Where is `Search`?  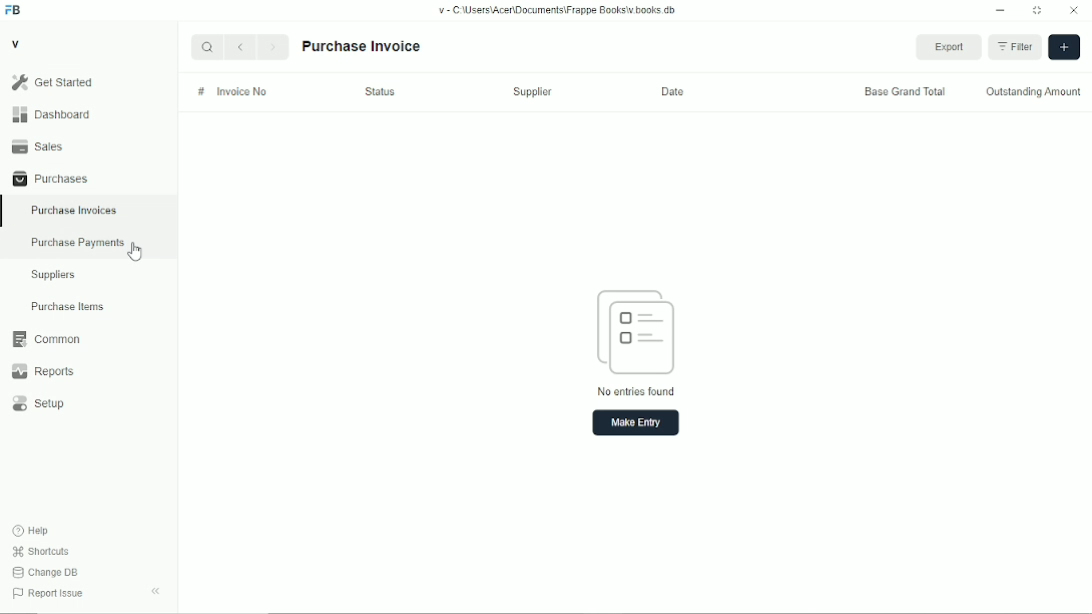 Search is located at coordinates (207, 47).